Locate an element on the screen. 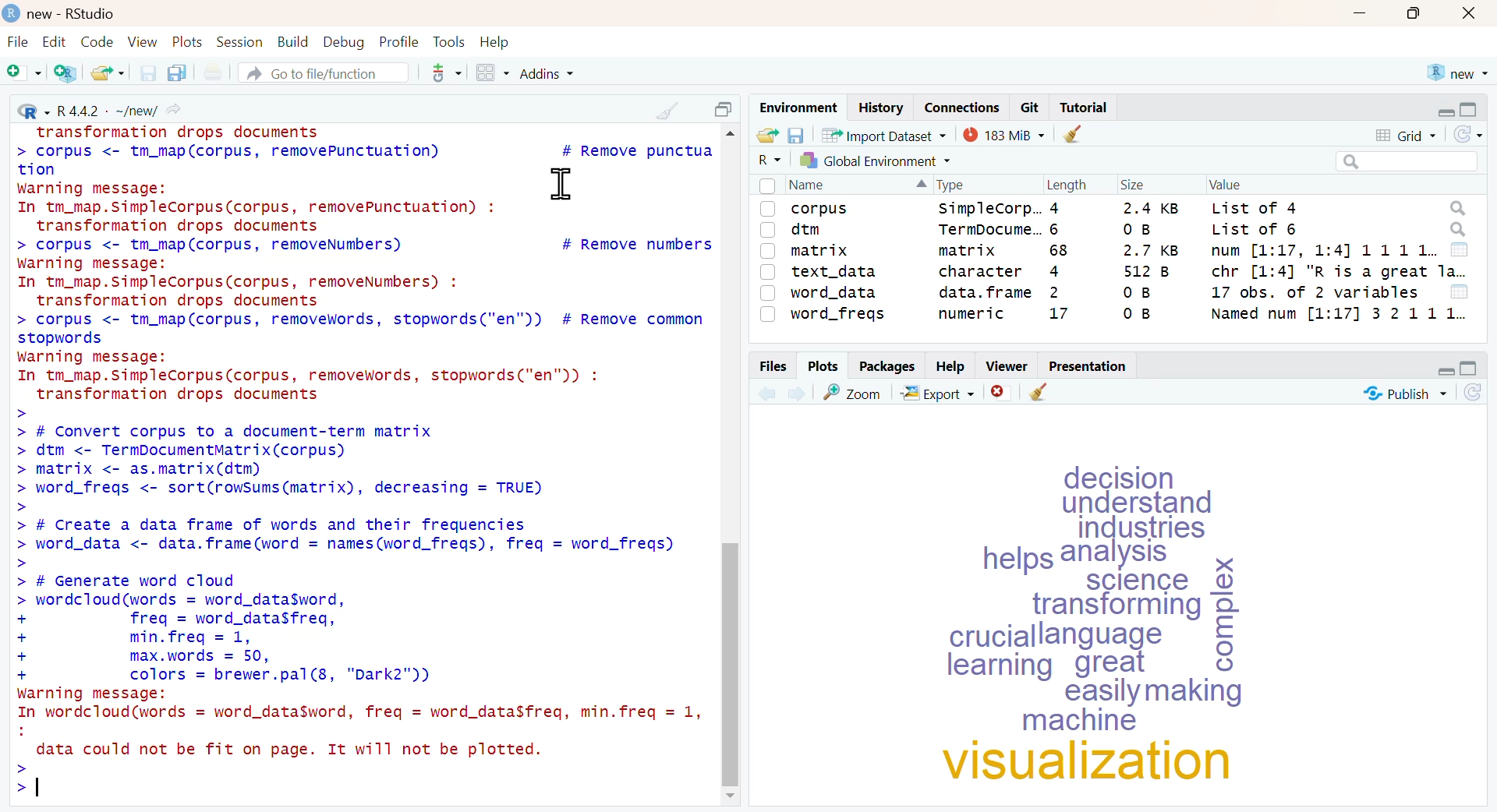  Session is located at coordinates (242, 42).